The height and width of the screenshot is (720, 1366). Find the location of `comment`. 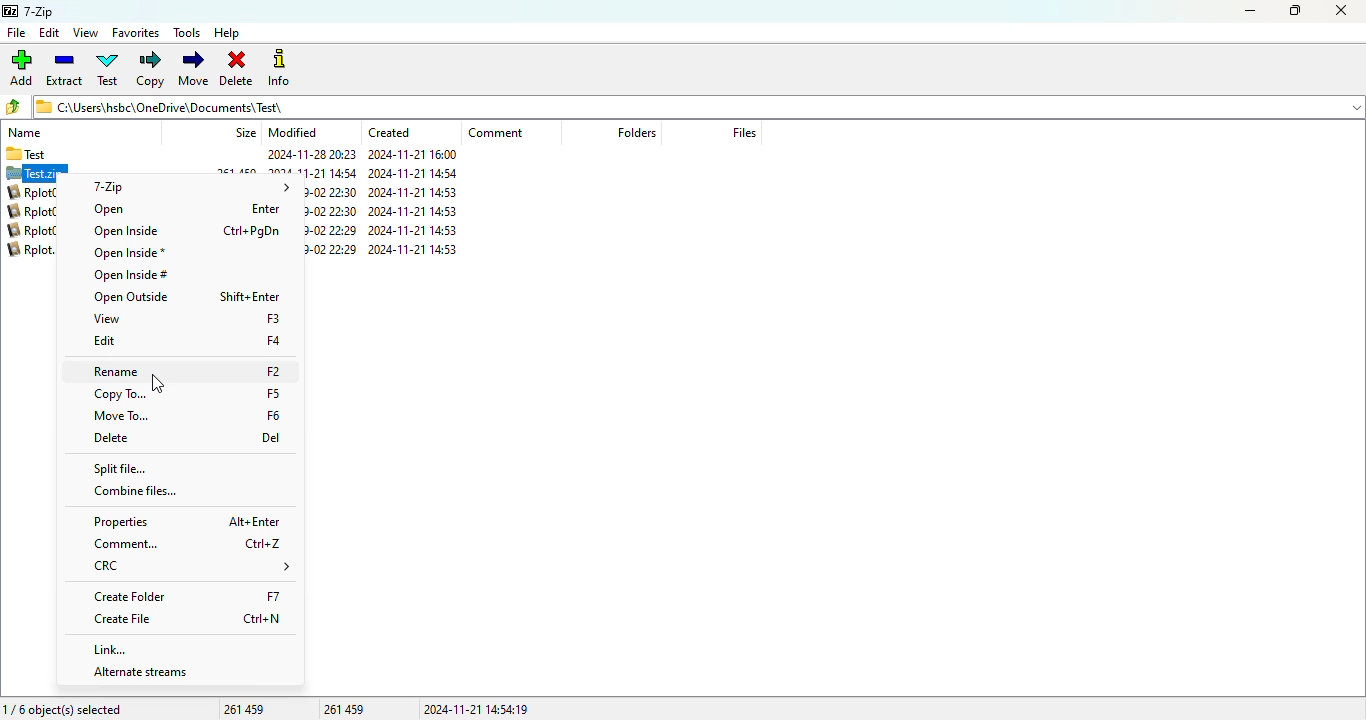

comment is located at coordinates (496, 133).